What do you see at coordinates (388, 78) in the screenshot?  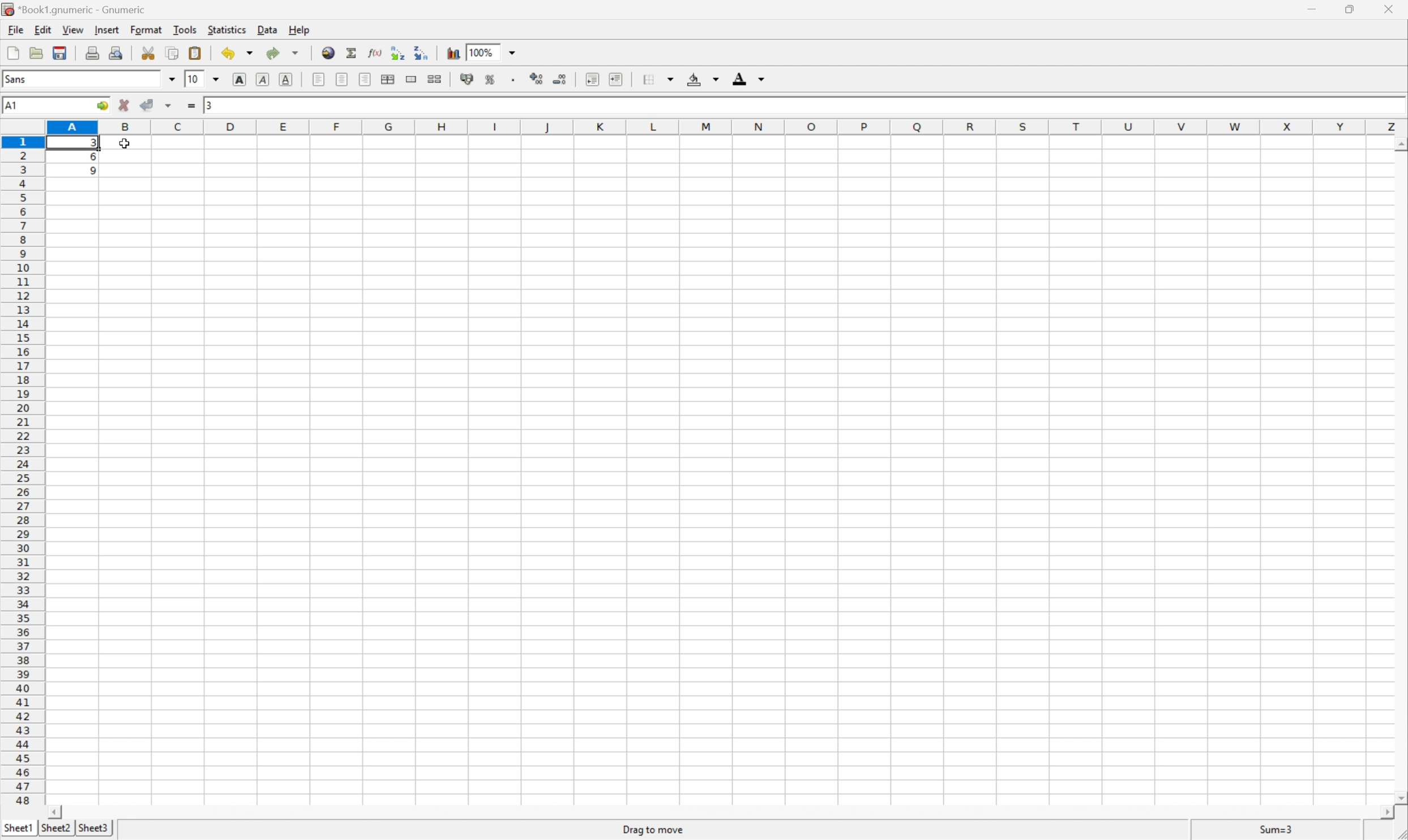 I see `Center horizontally across selection` at bounding box center [388, 78].